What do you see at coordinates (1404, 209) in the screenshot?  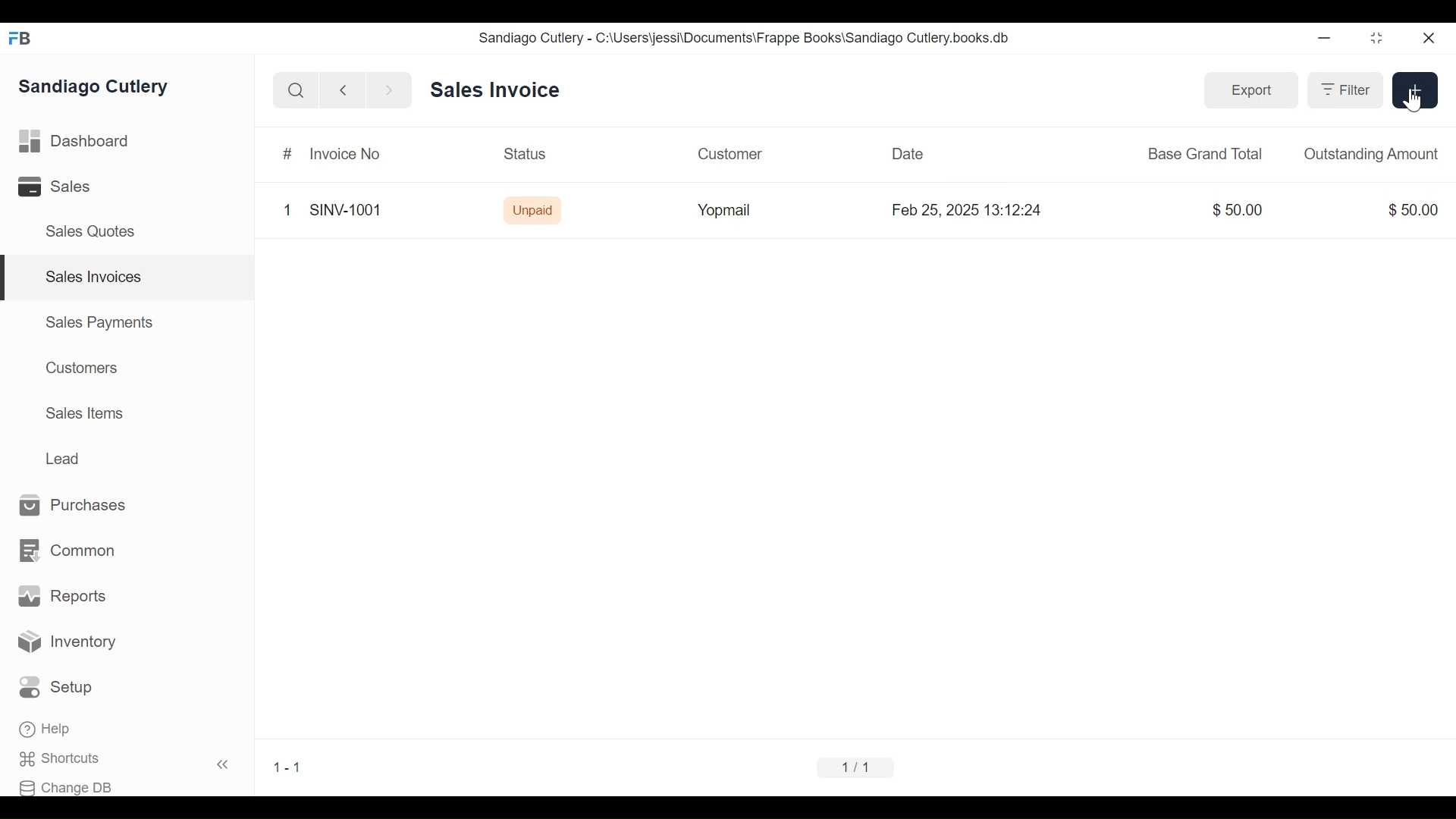 I see `$50.00` at bounding box center [1404, 209].